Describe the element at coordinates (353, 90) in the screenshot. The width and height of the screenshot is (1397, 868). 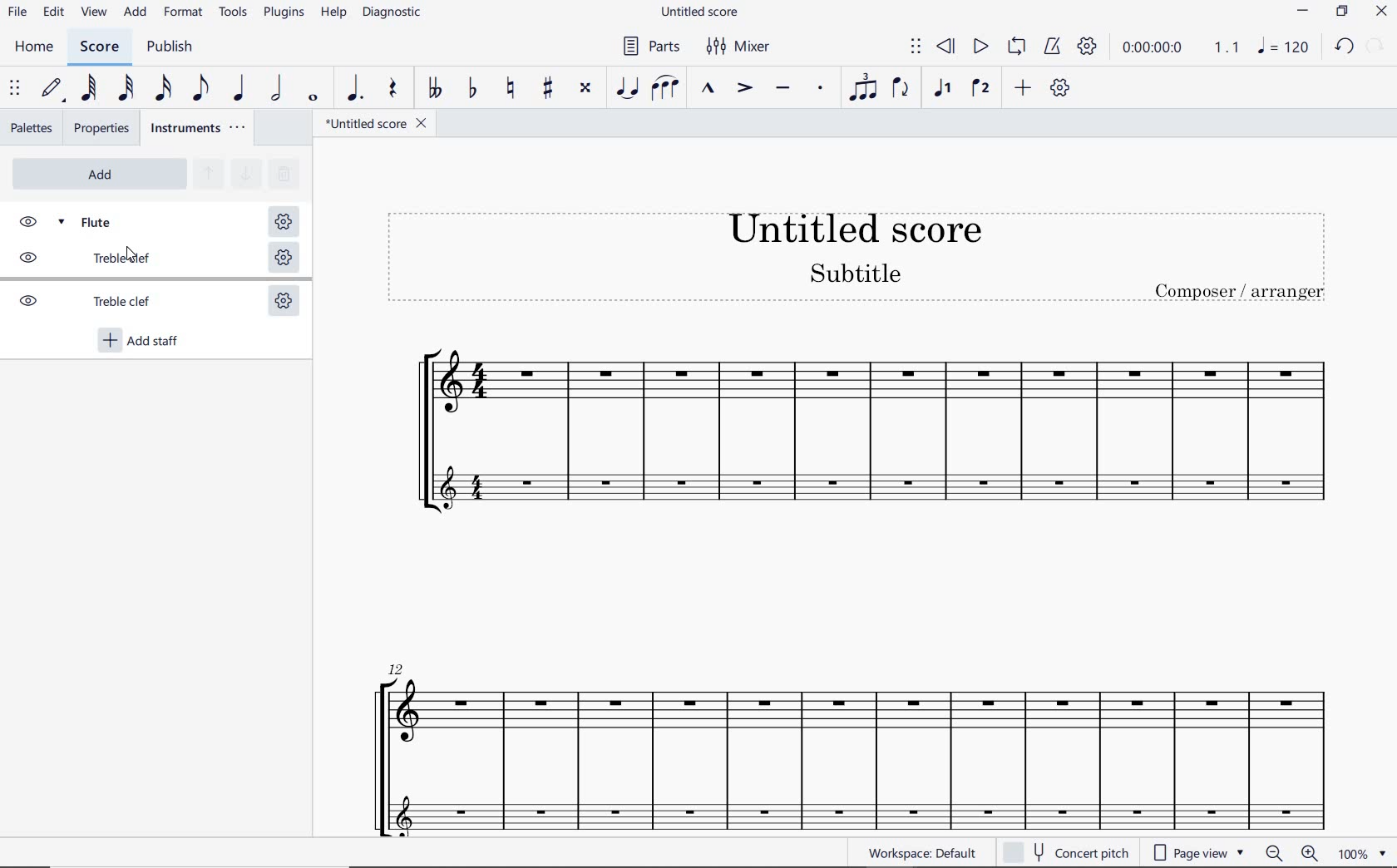
I see `AUGMENTATION DOT` at that location.